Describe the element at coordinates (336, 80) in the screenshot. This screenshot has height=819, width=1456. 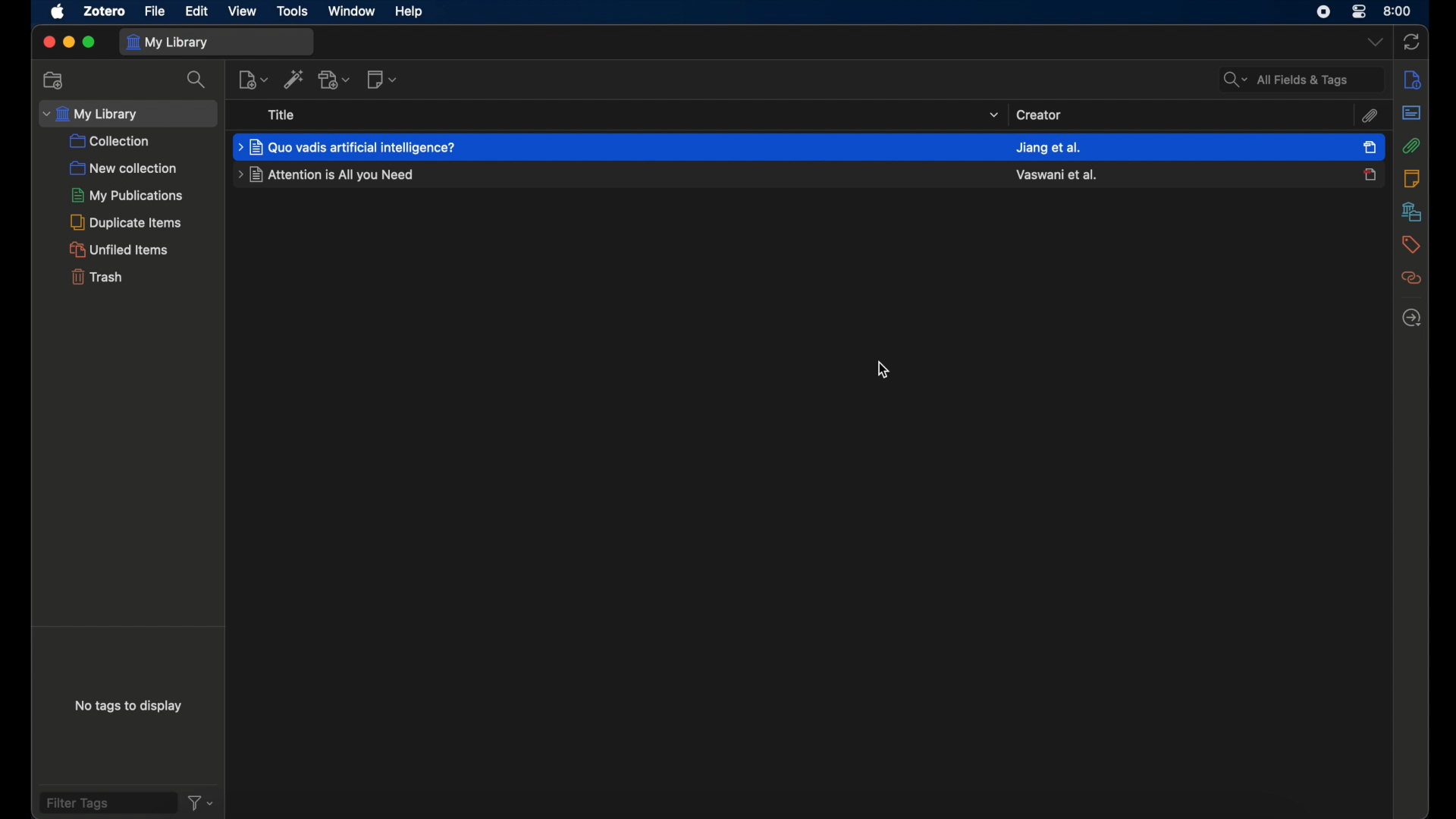
I see `add attachment` at that location.